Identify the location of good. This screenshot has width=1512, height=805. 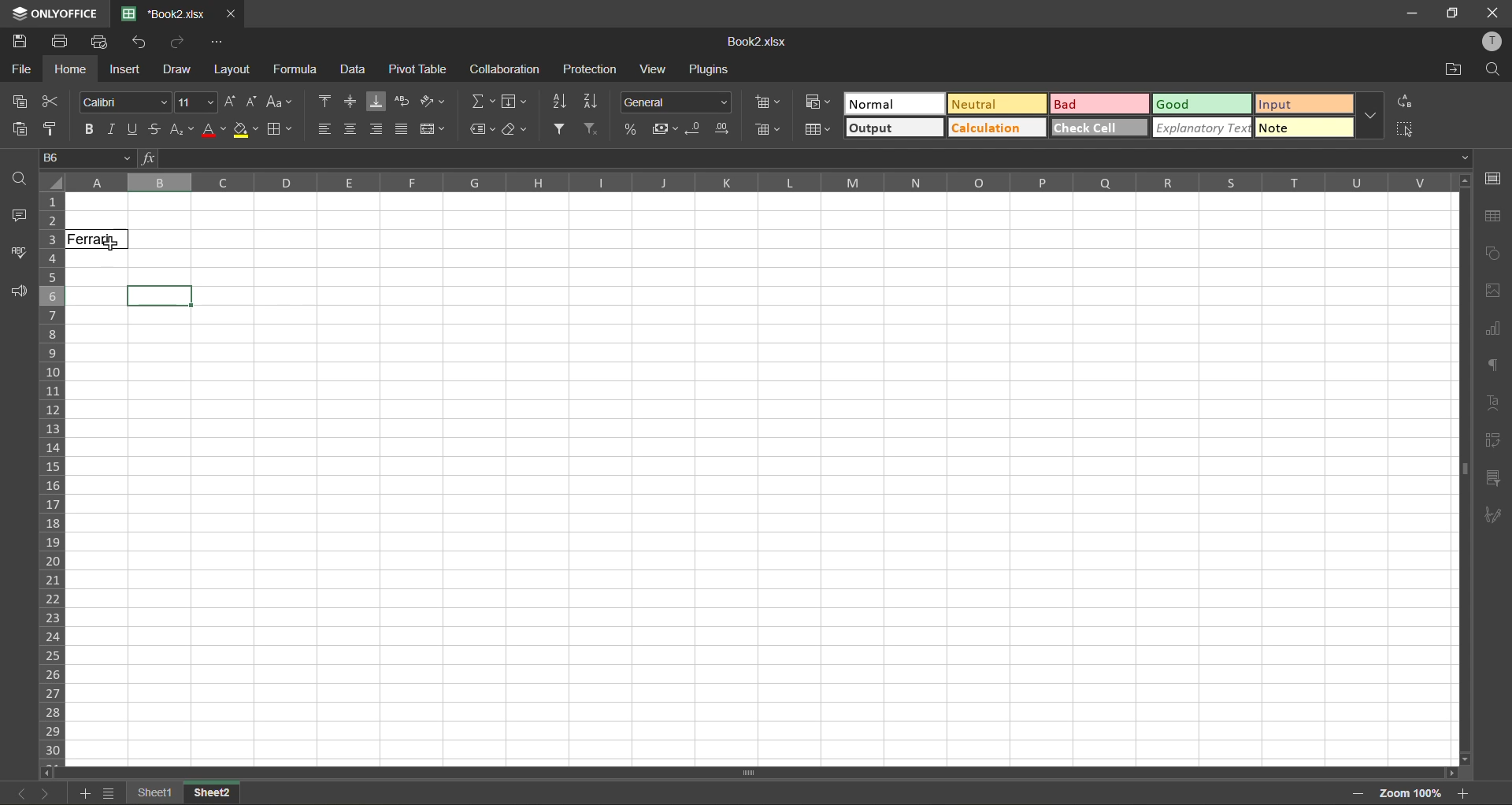
(1203, 105).